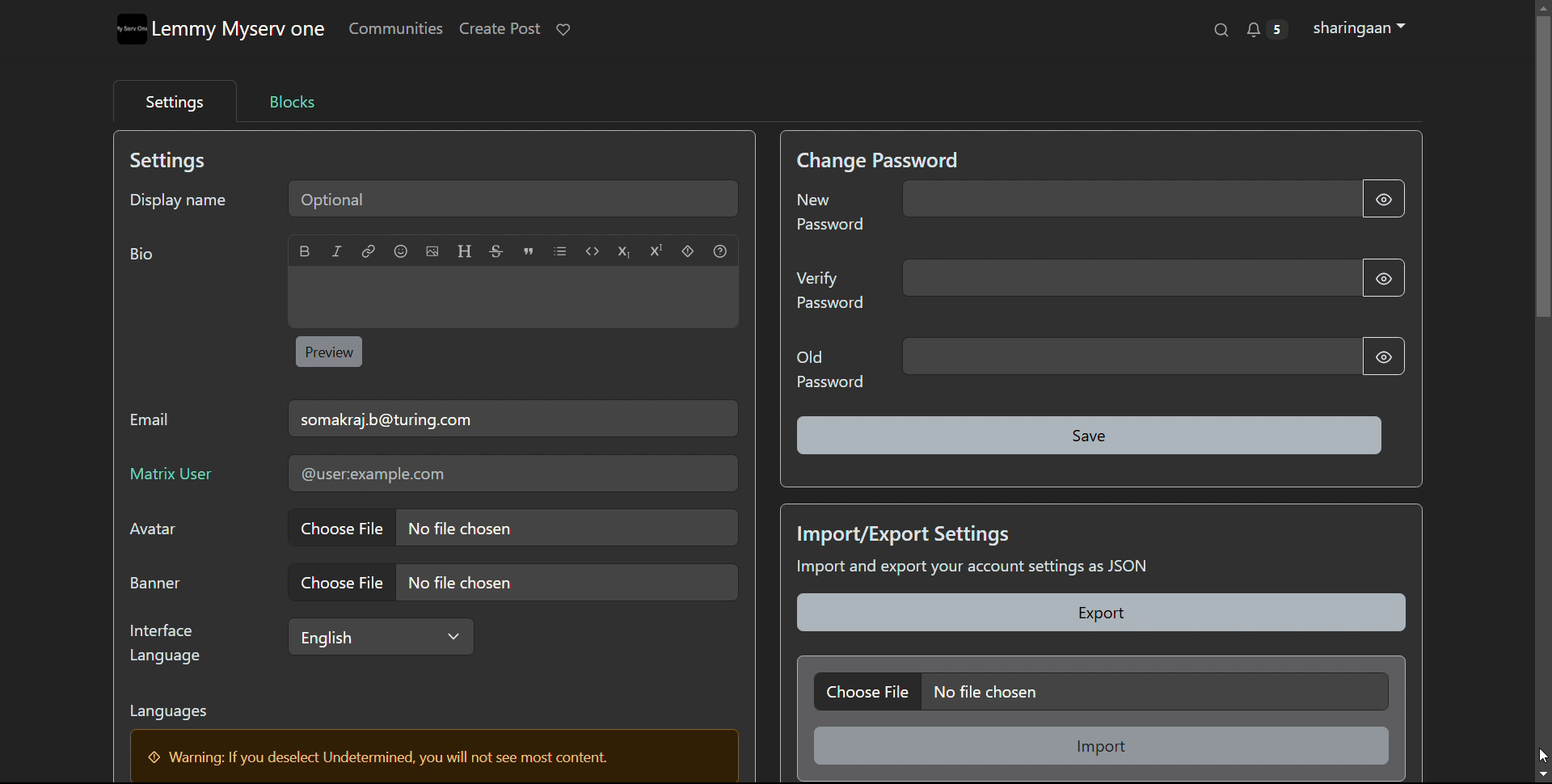 This screenshot has height=784, width=1552. I want to click on Settings, so click(177, 162).